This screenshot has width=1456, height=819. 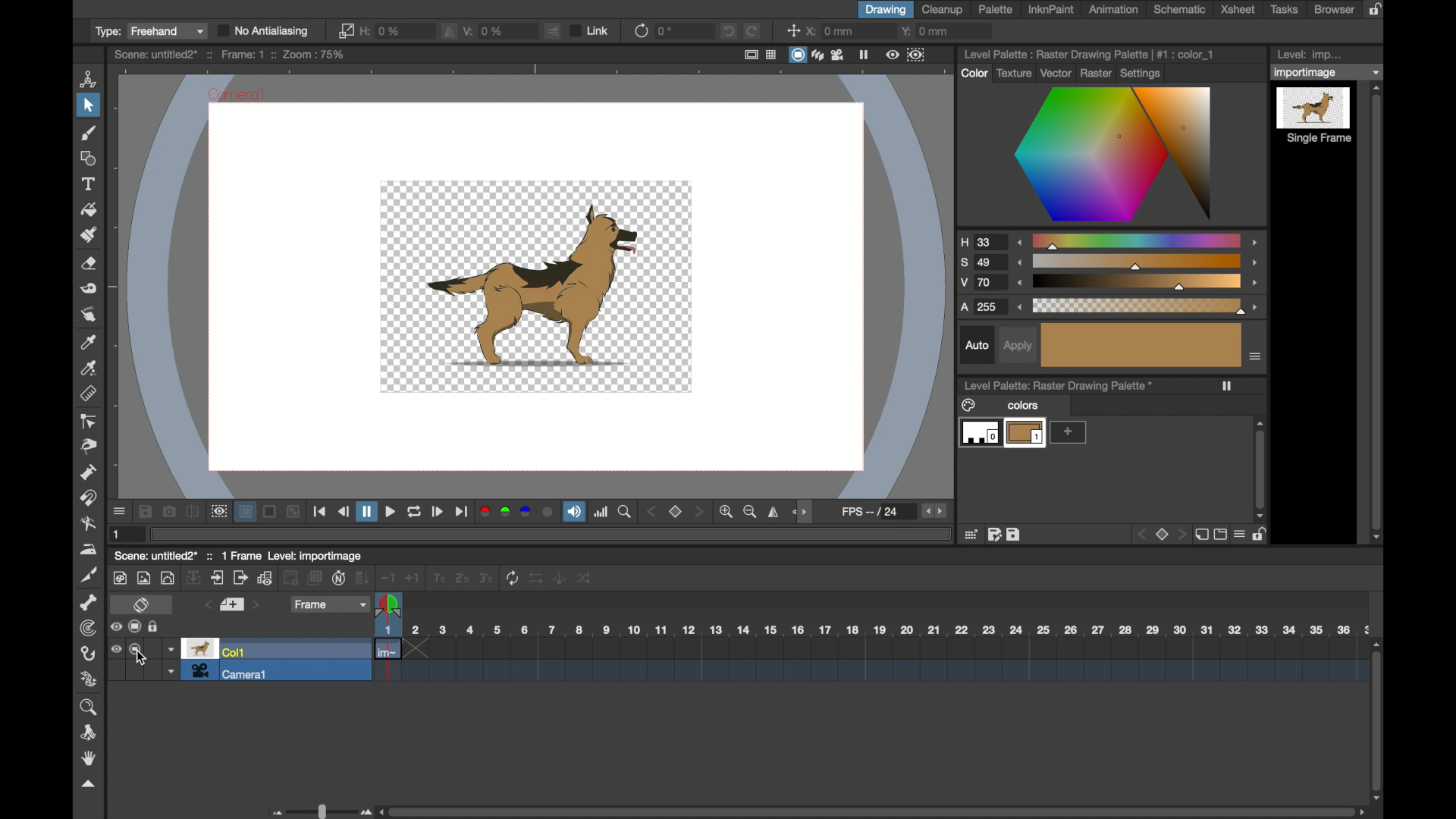 What do you see at coordinates (89, 315) in the screenshot?
I see `finger tool` at bounding box center [89, 315].